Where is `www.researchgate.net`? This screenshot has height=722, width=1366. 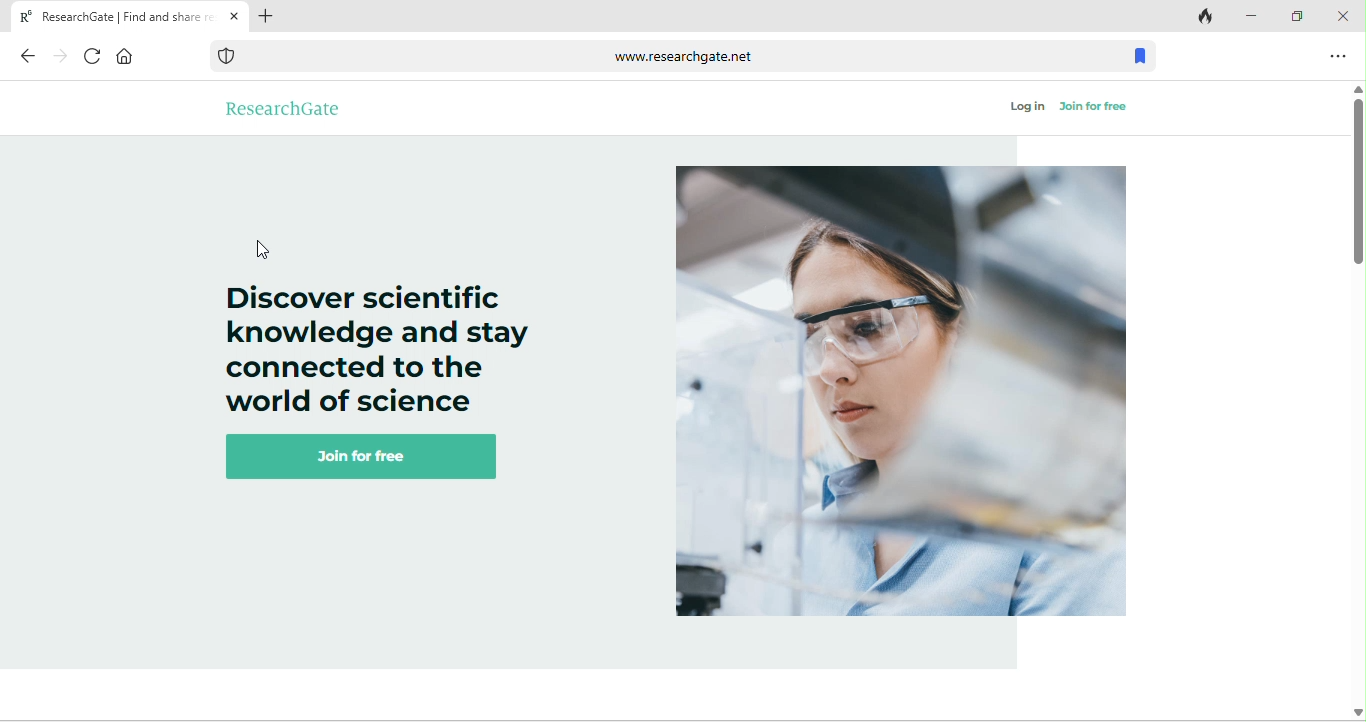 www.researchgate.net is located at coordinates (658, 60).